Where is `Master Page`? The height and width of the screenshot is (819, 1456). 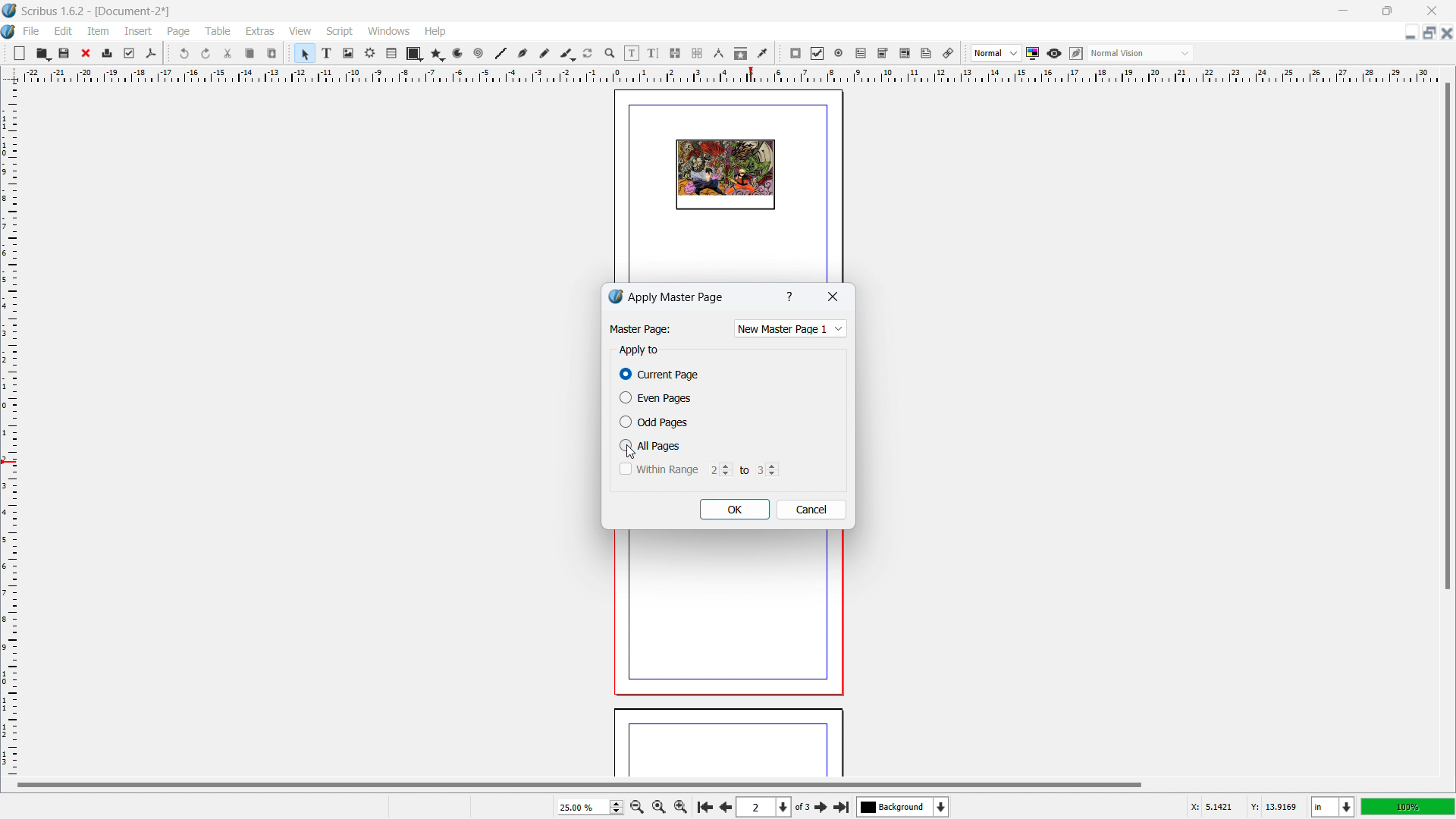 Master Page is located at coordinates (639, 329).